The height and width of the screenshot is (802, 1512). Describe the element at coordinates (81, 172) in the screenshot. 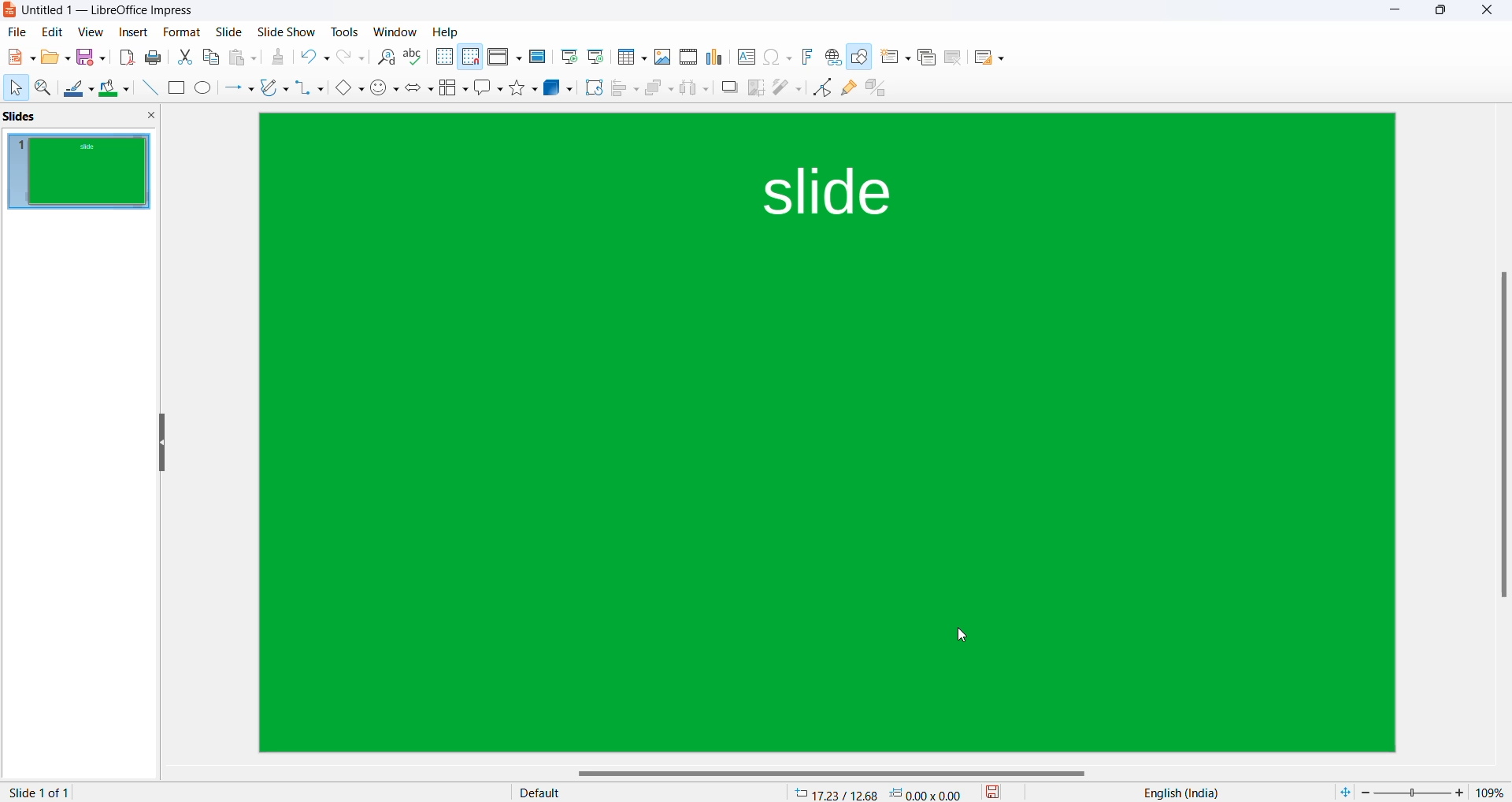

I see `slide preview` at that location.